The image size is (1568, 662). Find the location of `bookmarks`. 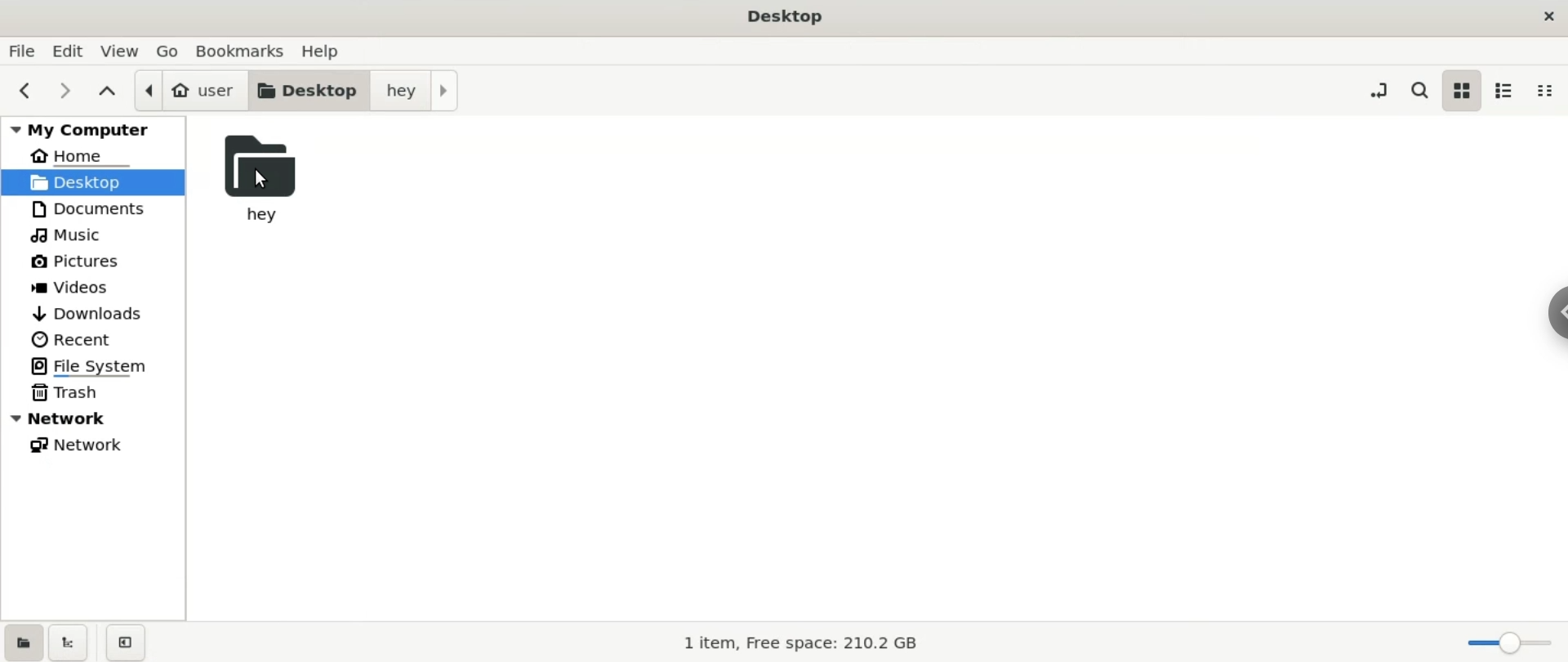

bookmarks is located at coordinates (247, 51).